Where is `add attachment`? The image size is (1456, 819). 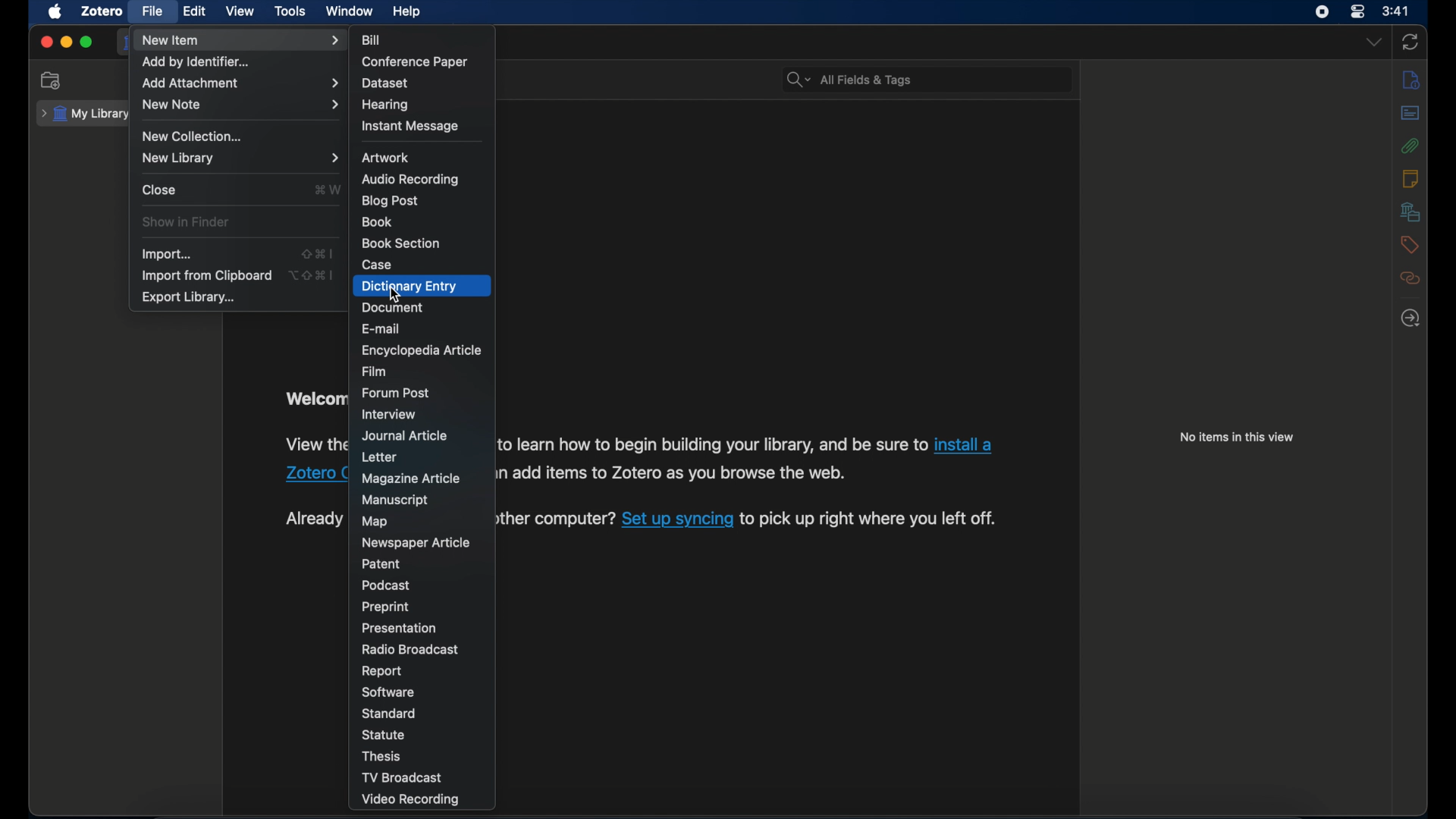
add attachment is located at coordinates (242, 84).